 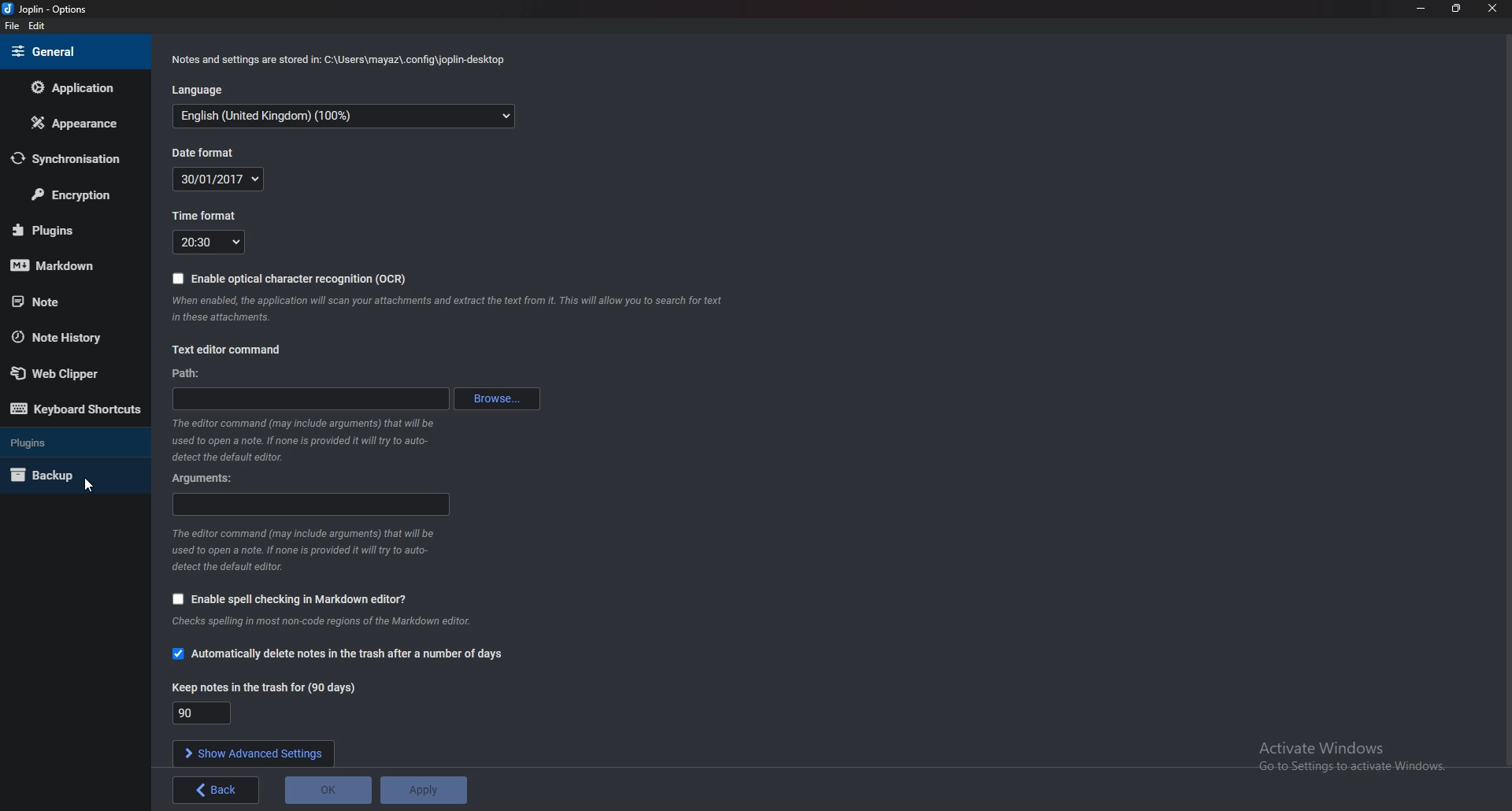 I want to click on path, so click(x=309, y=398).